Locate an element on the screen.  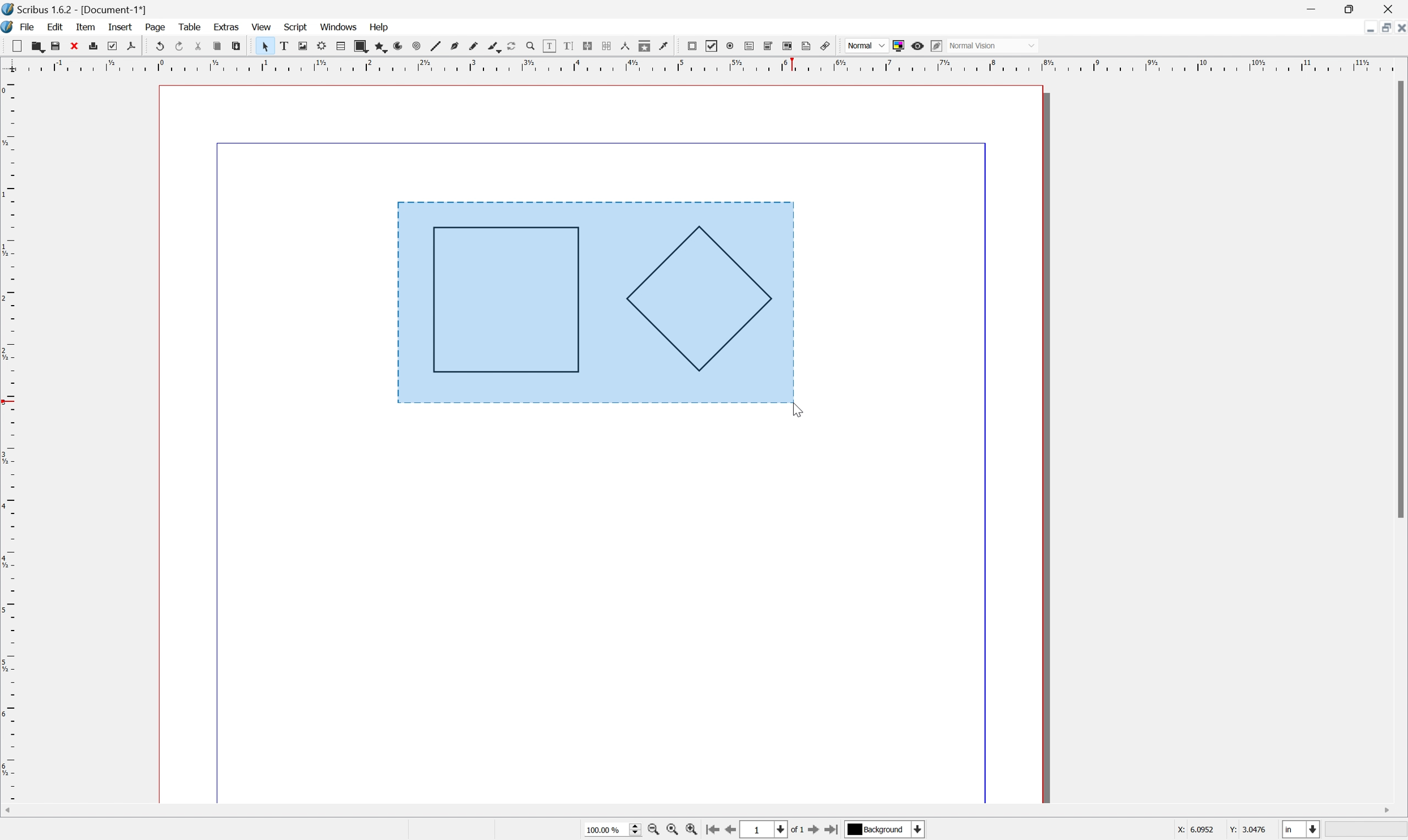
pdf combo box is located at coordinates (768, 46).